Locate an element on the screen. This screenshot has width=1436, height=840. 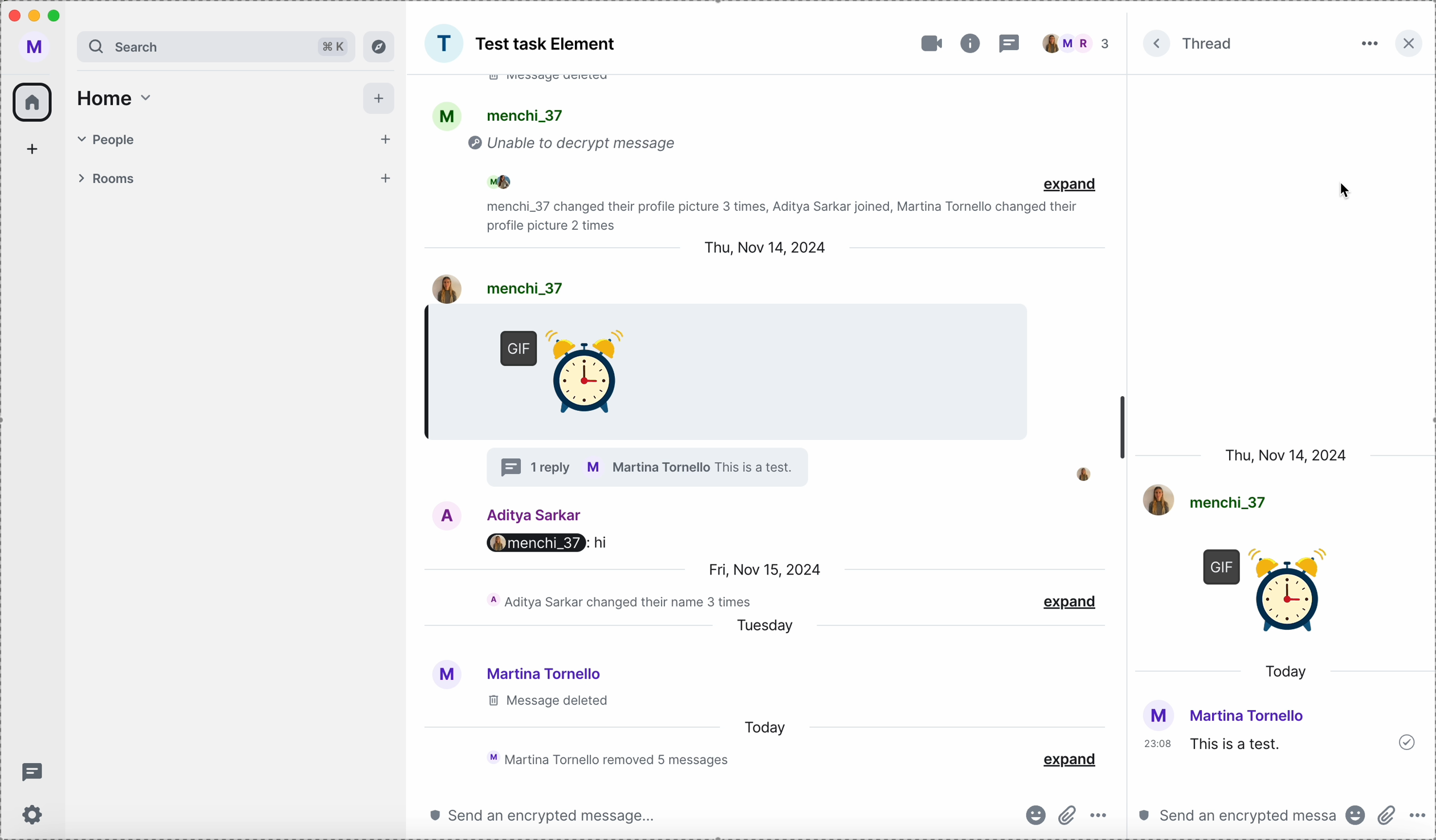
date is located at coordinates (1286, 455).